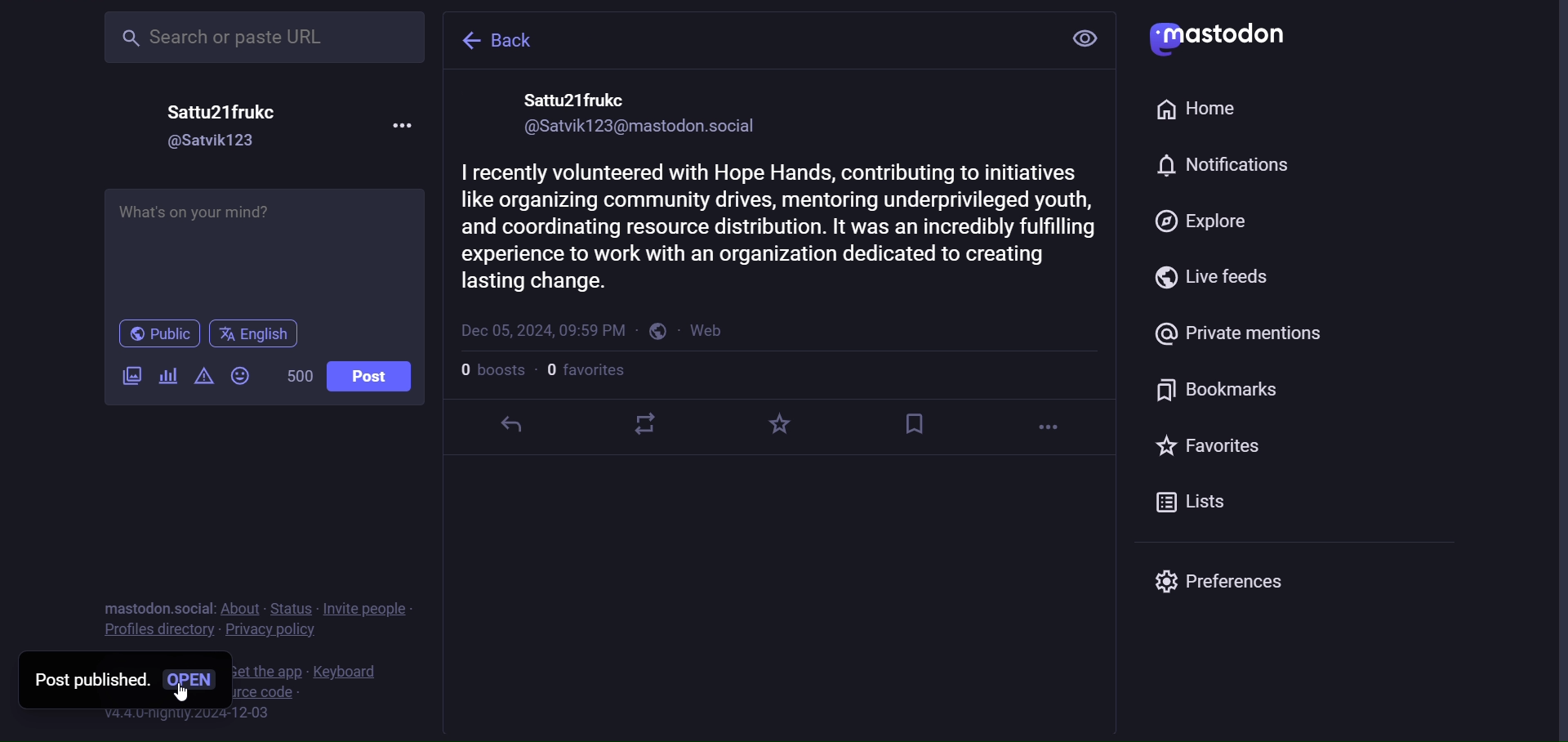 The width and height of the screenshot is (1568, 742). Describe the element at coordinates (1192, 500) in the screenshot. I see `lists` at that location.